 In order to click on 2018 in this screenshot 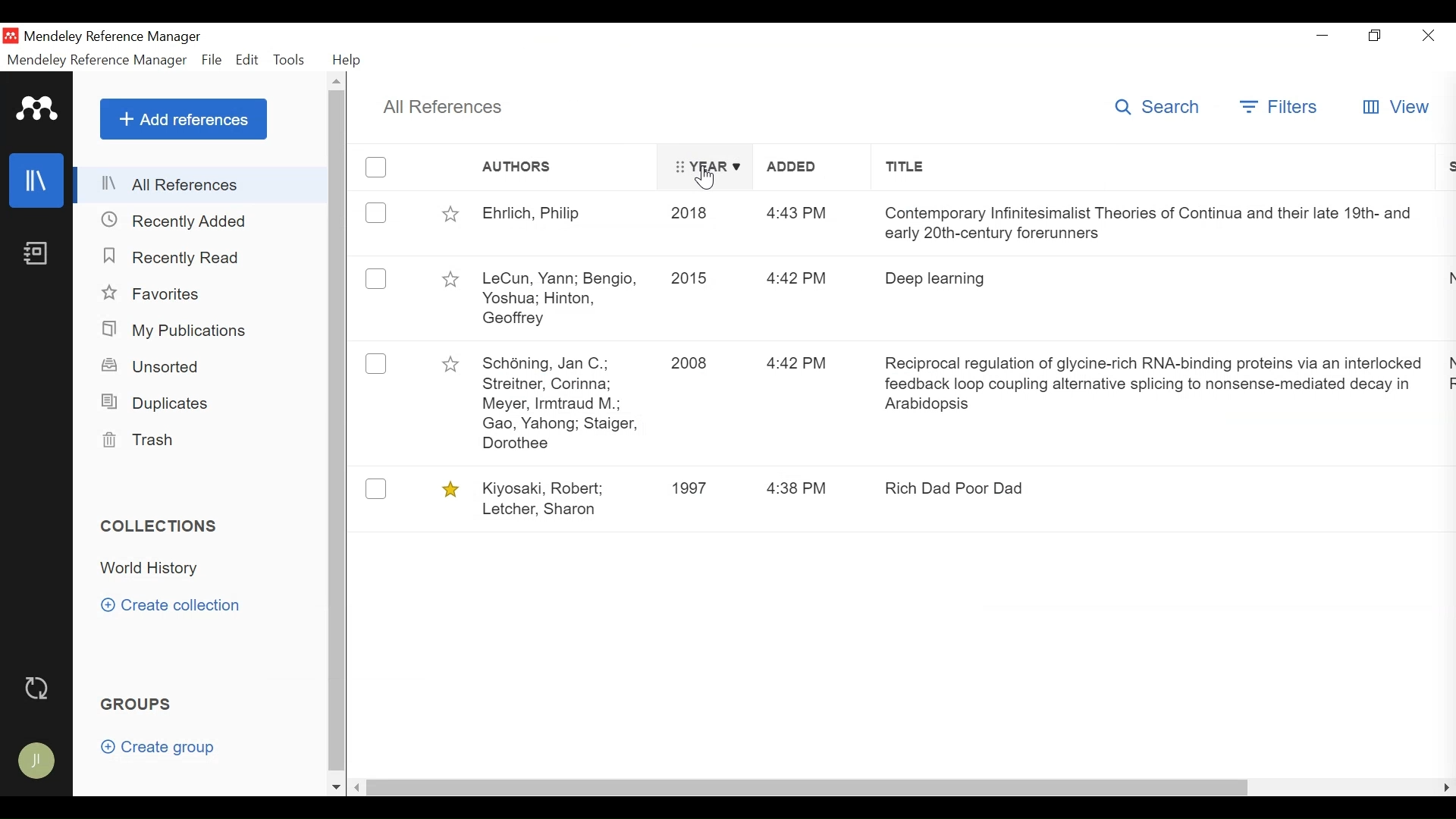, I will do `click(693, 215)`.